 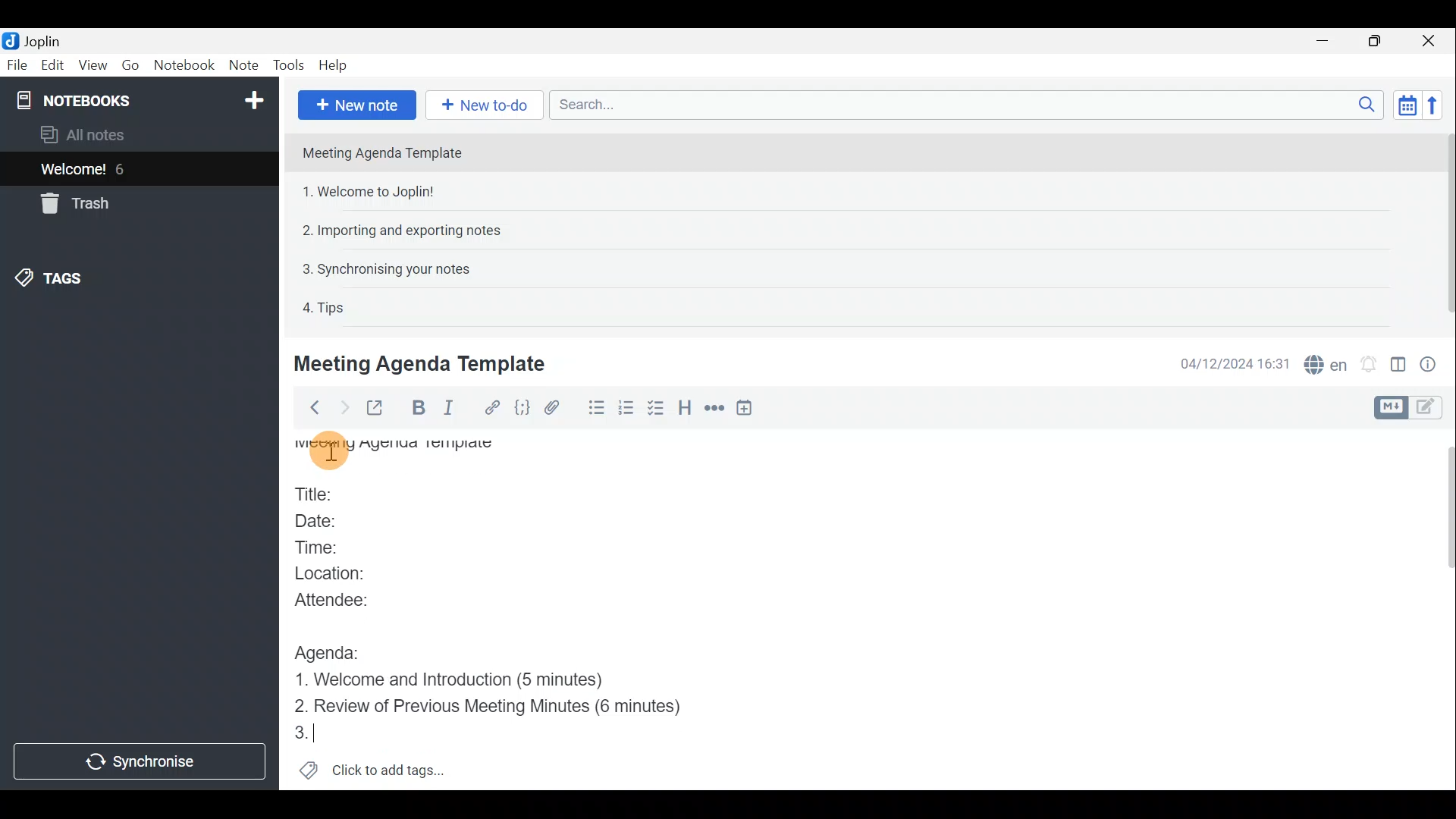 I want to click on Toggle editors, so click(x=1389, y=408).